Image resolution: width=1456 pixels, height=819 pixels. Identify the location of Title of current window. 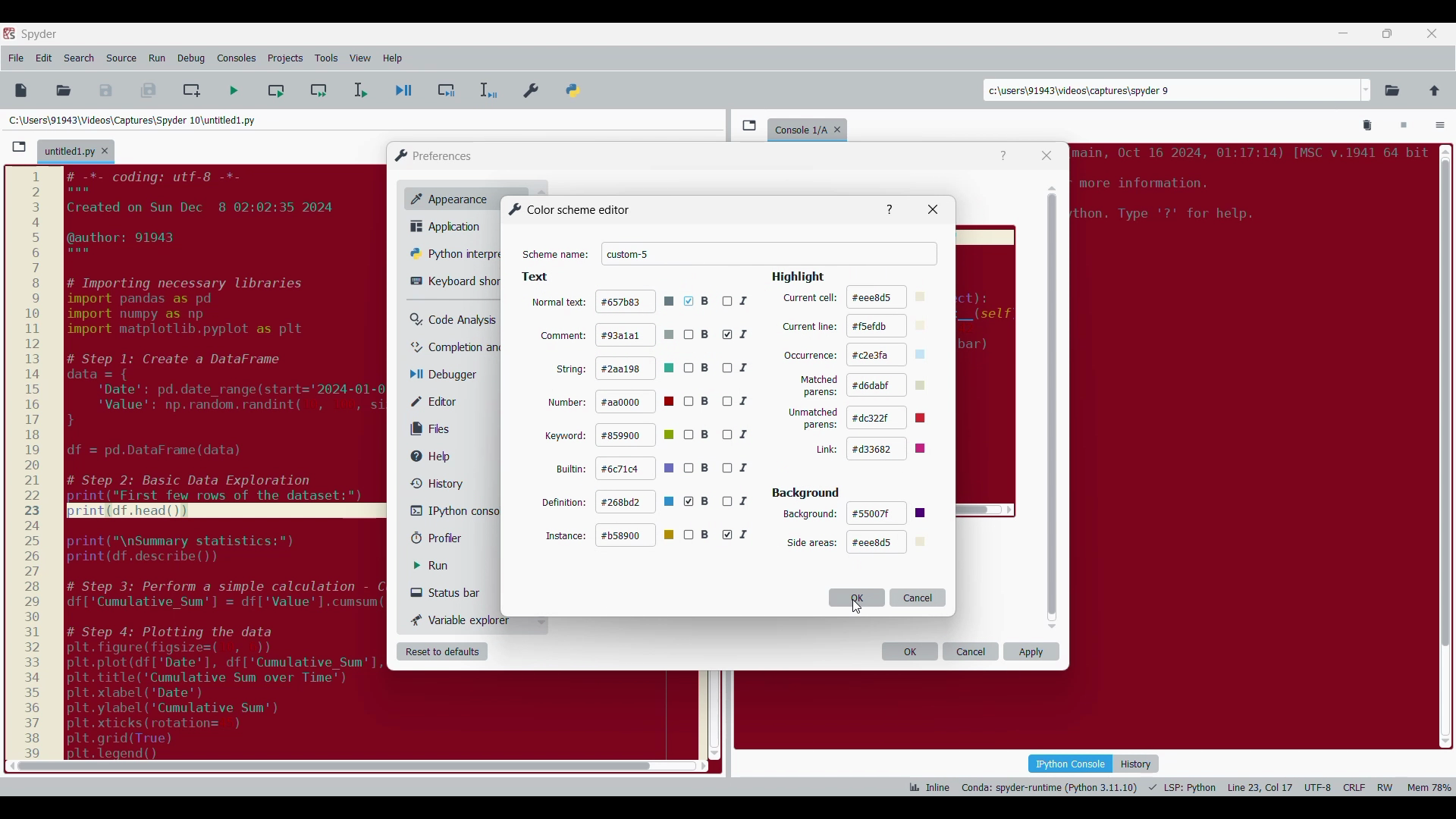
(568, 209).